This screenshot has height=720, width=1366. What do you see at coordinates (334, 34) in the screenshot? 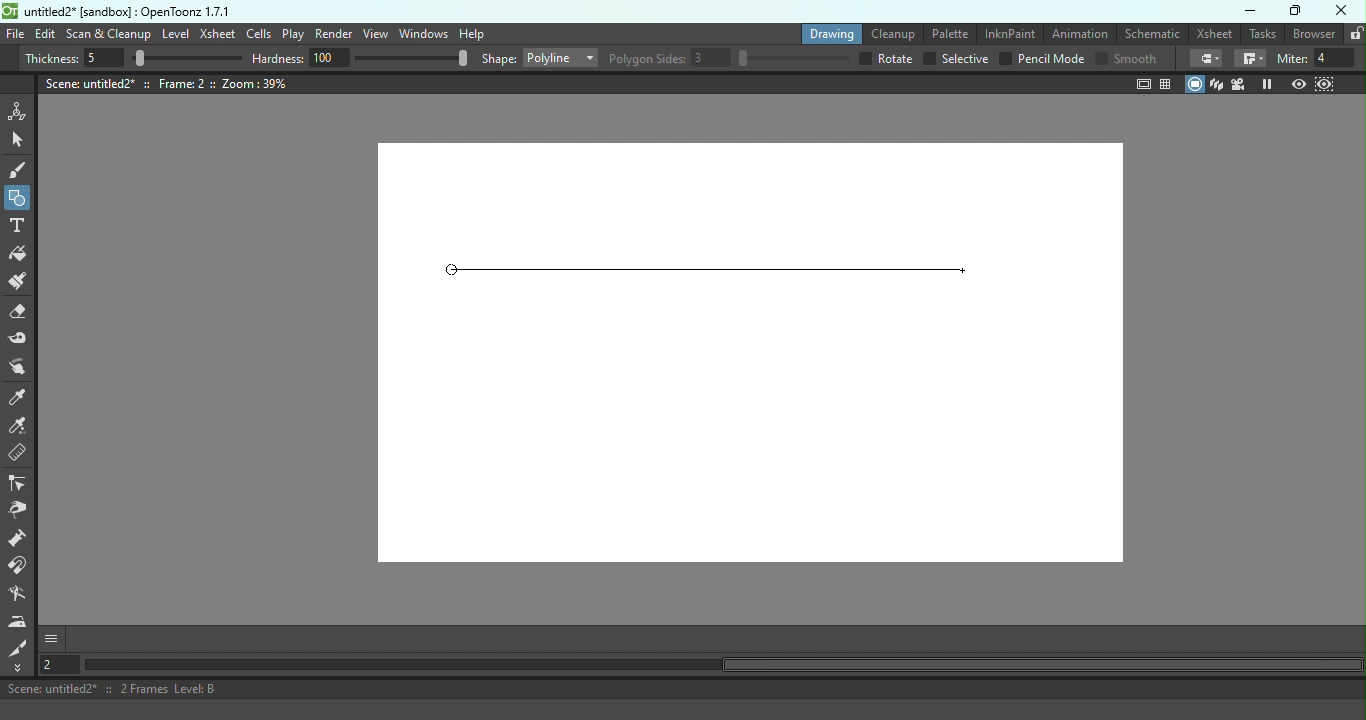
I see `Render` at bounding box center [334, 34].